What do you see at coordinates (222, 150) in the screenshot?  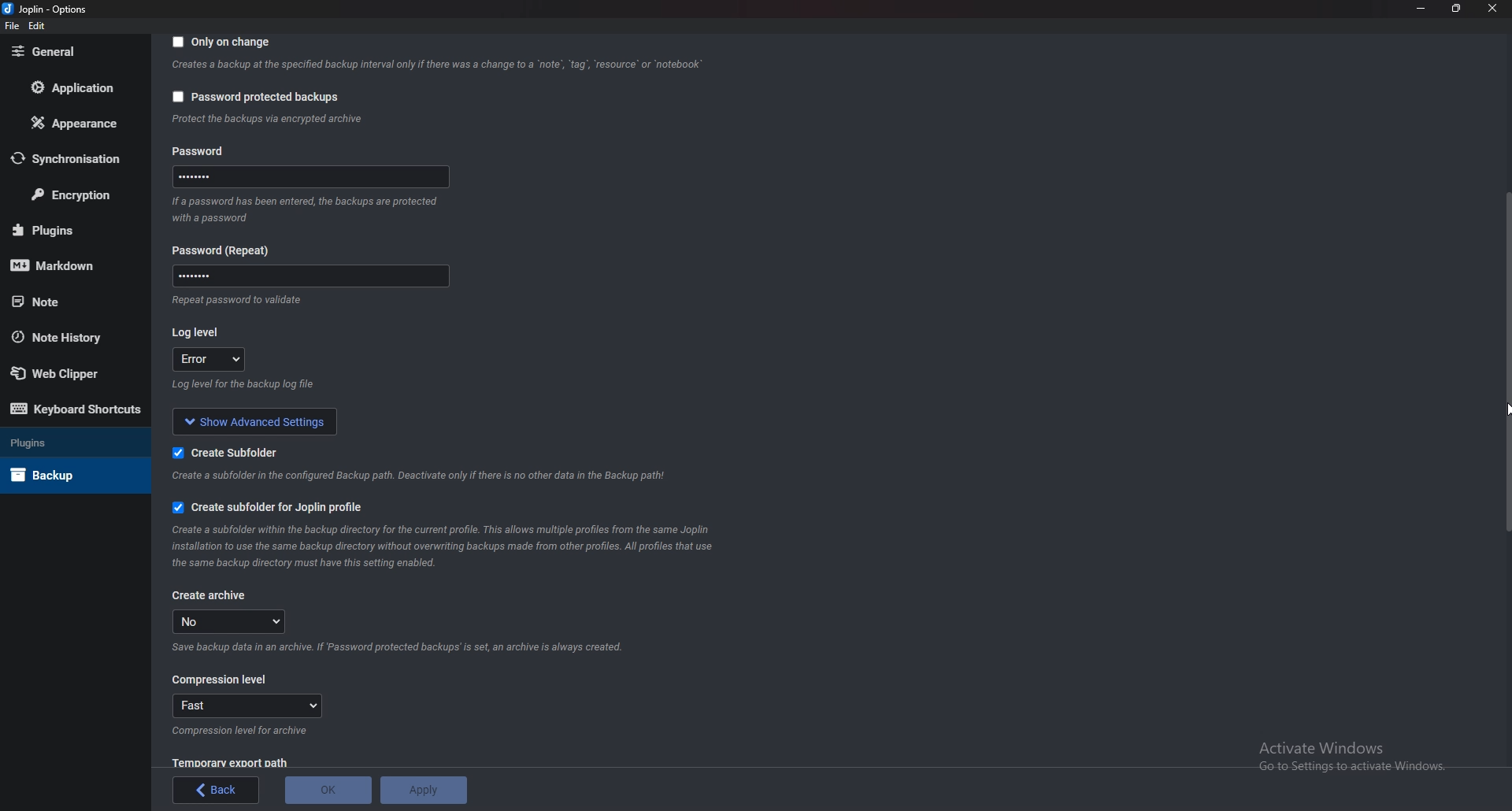 I see `Password` at bounding box center [222, 150].